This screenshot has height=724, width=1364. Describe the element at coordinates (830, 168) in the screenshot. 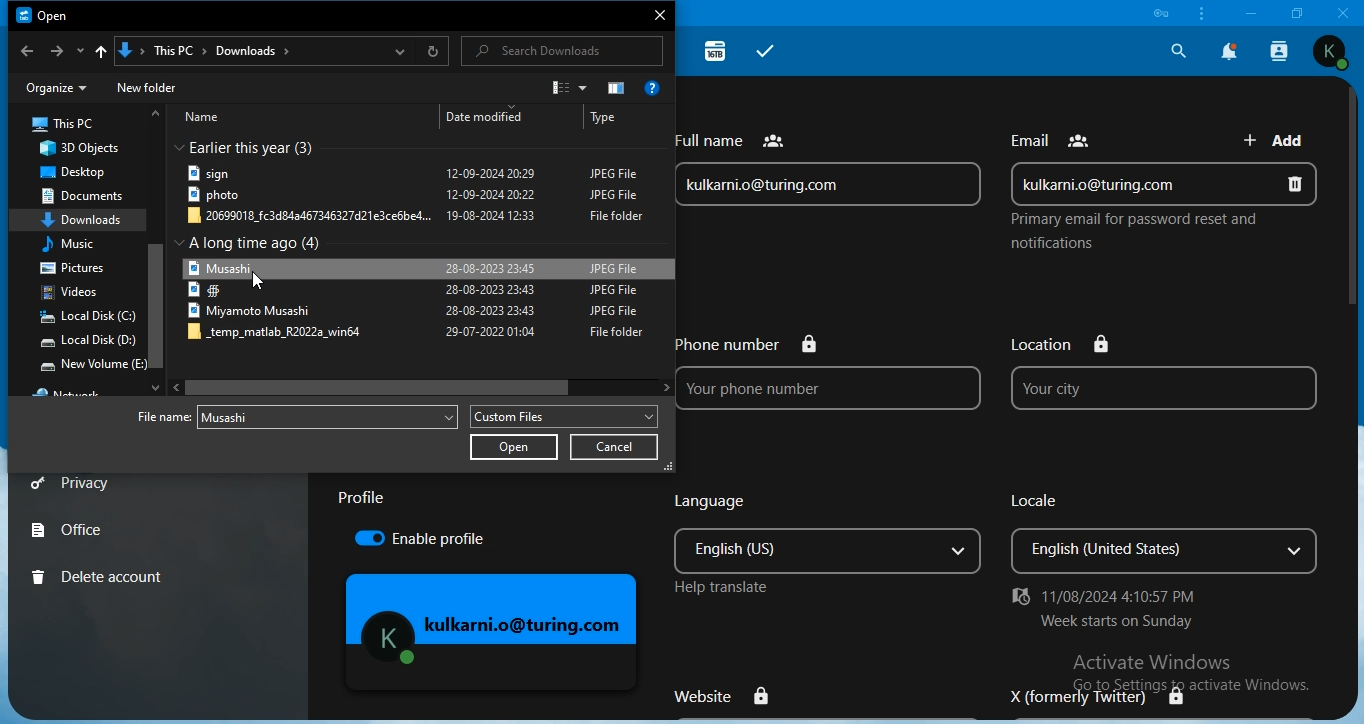

I see `full name` at that location.